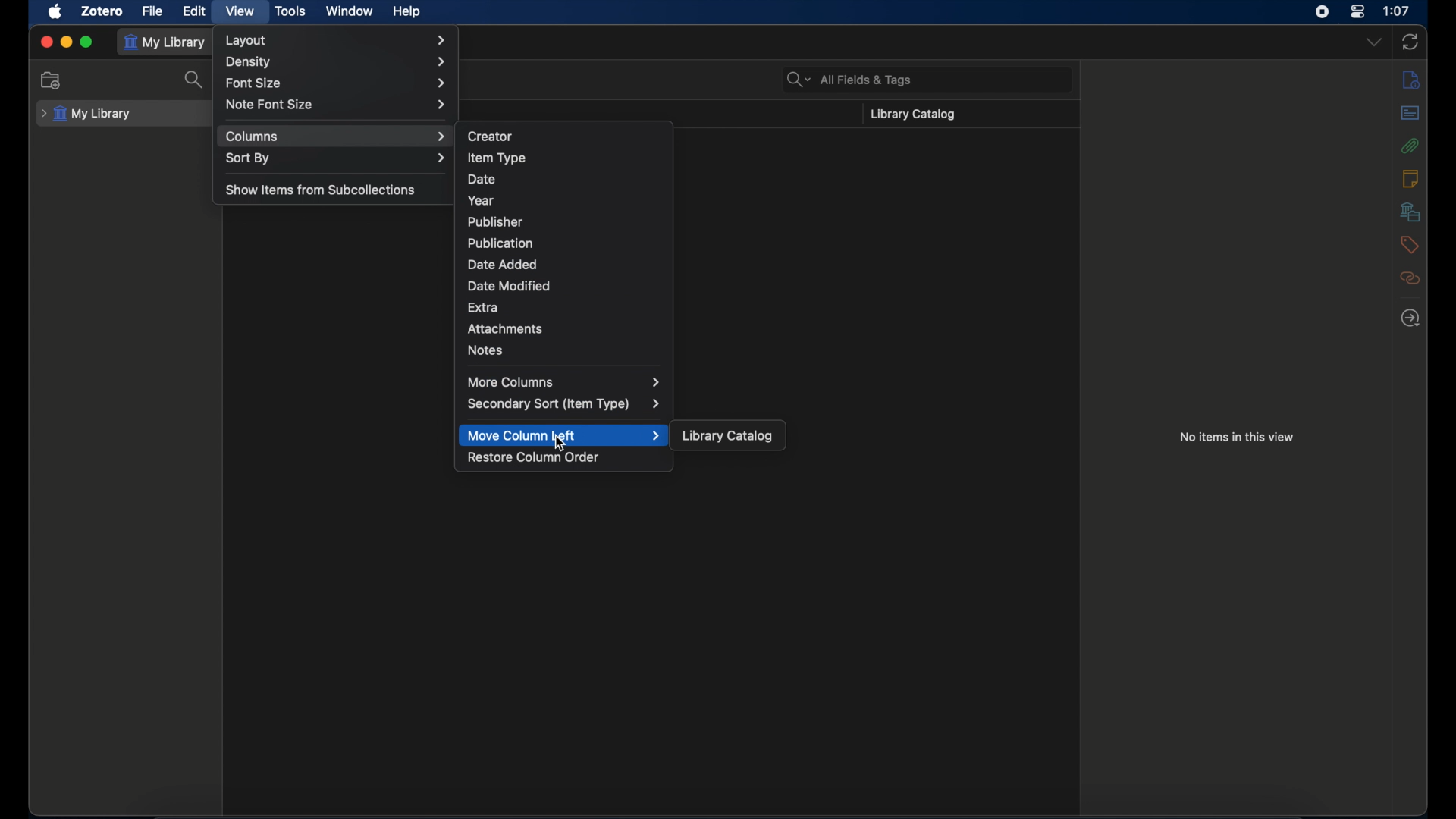 Image resolution: width=1456 pixels, height=819 pixels. I want to click on date, so click(481, 179).